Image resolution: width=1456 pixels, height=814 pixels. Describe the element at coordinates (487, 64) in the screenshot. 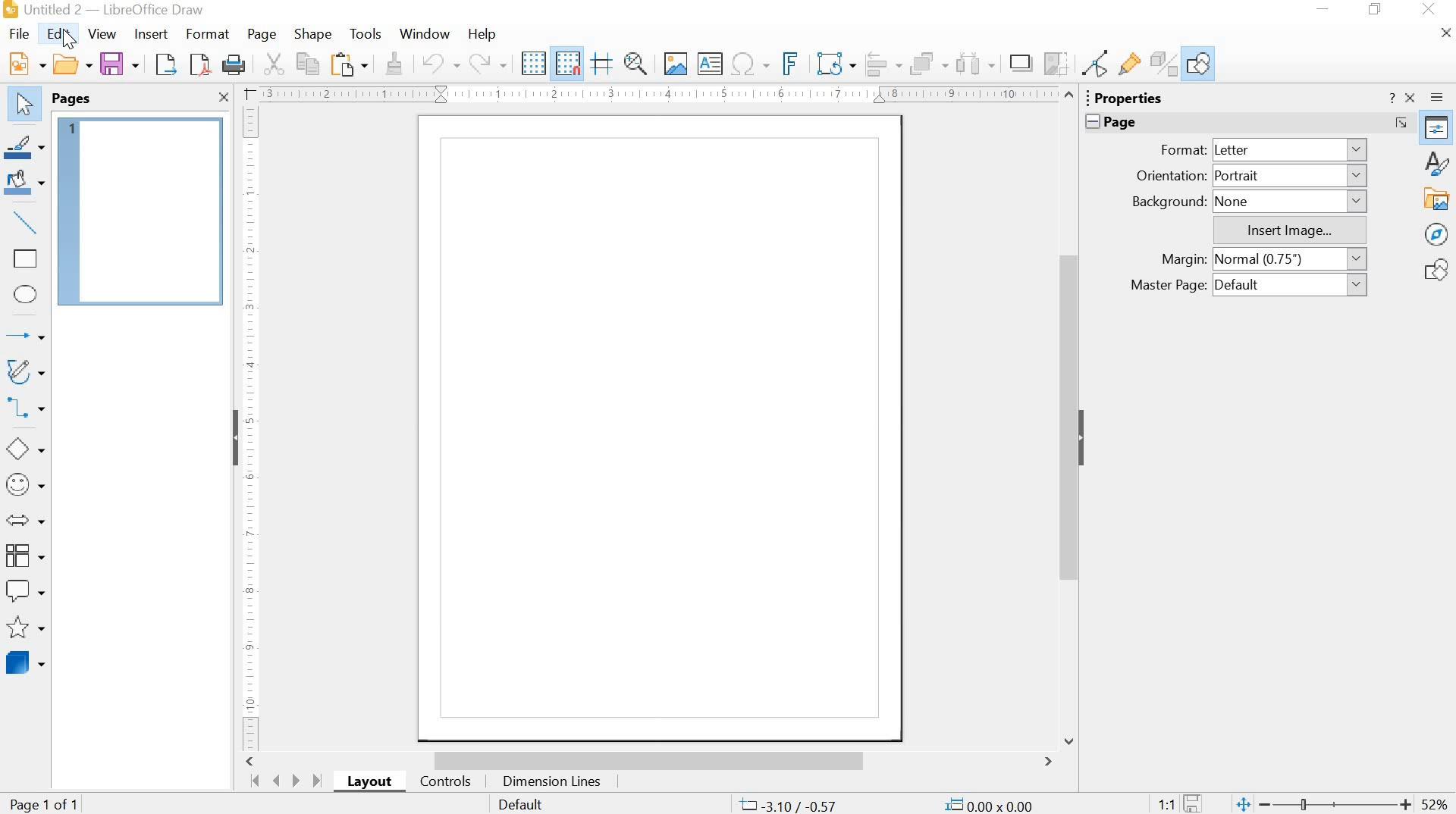

I see `Redo` at that location.